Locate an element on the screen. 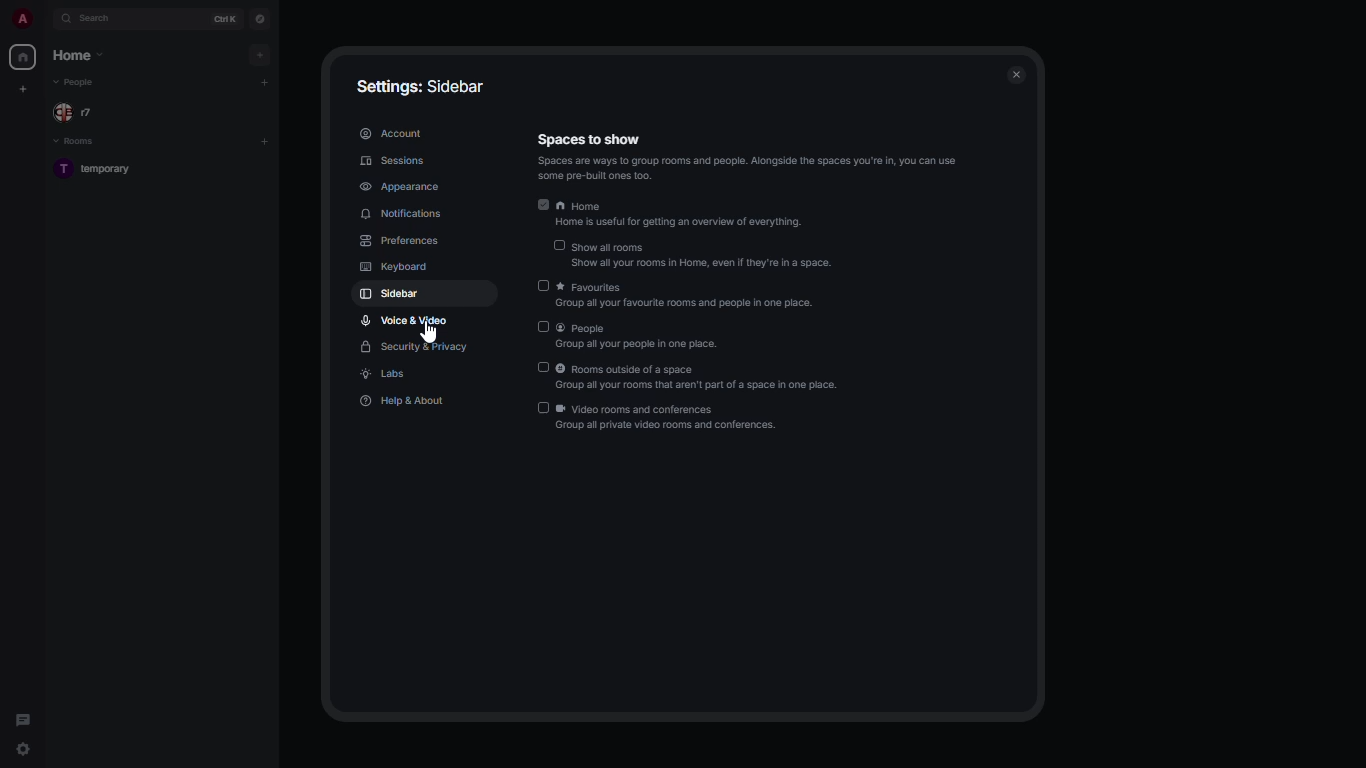  threads is located at coordinates (23, 716).